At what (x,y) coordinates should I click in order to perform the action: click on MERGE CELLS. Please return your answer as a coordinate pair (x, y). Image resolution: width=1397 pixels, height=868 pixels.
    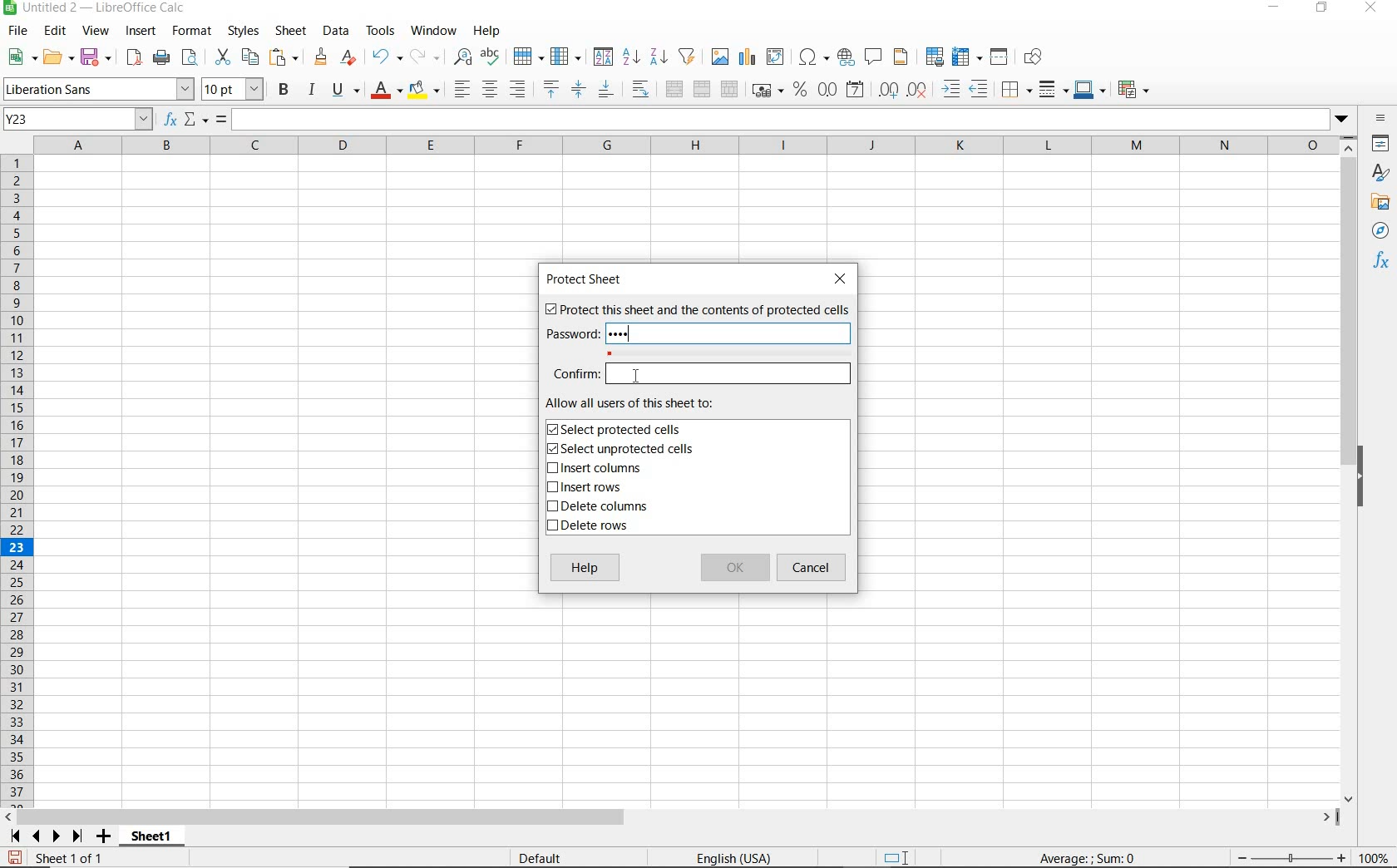
    Looking at the image, I should click on (702, 90).